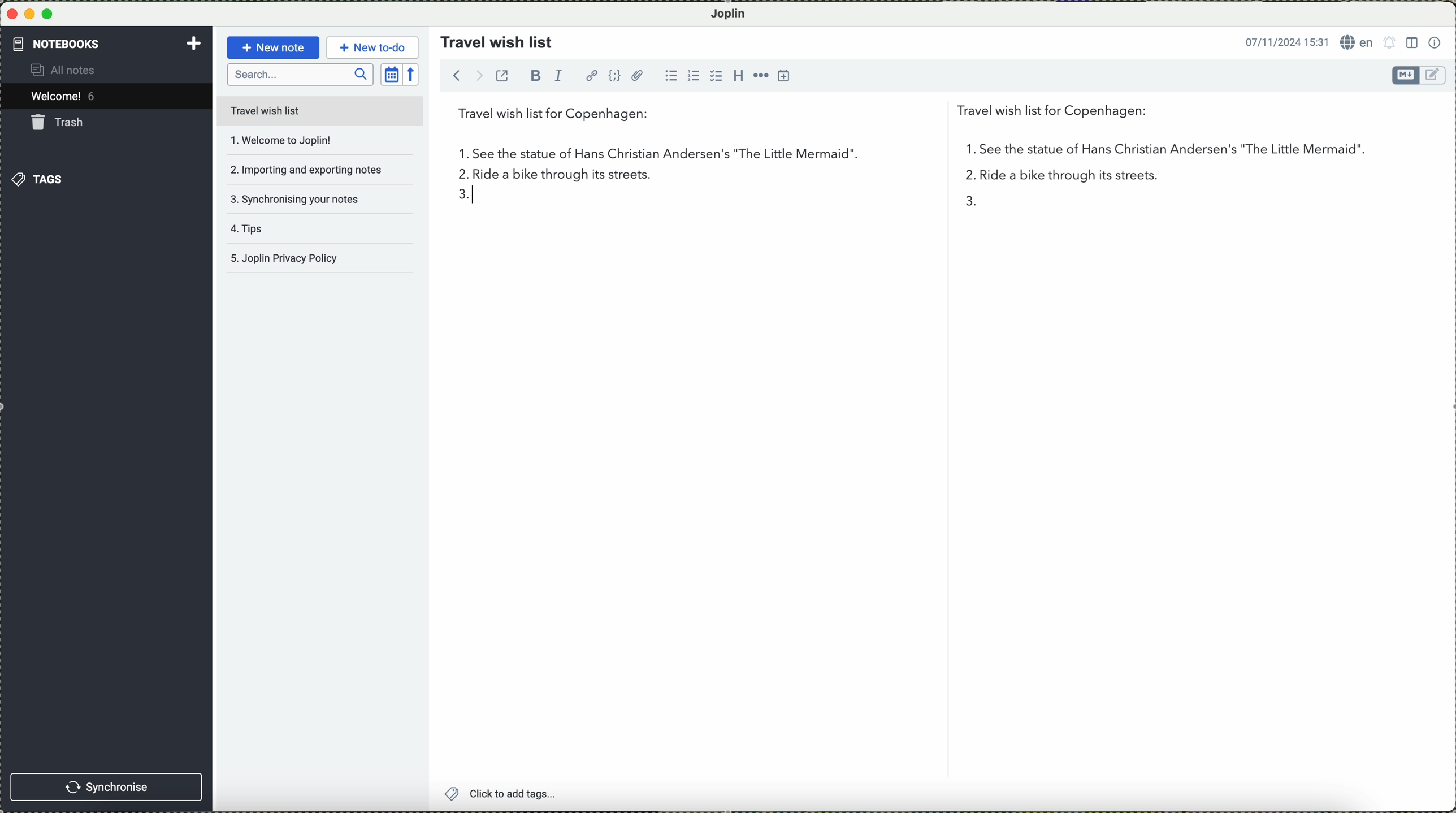  What do you see at coordinates (674, 76) in the screenshot?
I see `bulleted list` at bounding box center [674, 76].